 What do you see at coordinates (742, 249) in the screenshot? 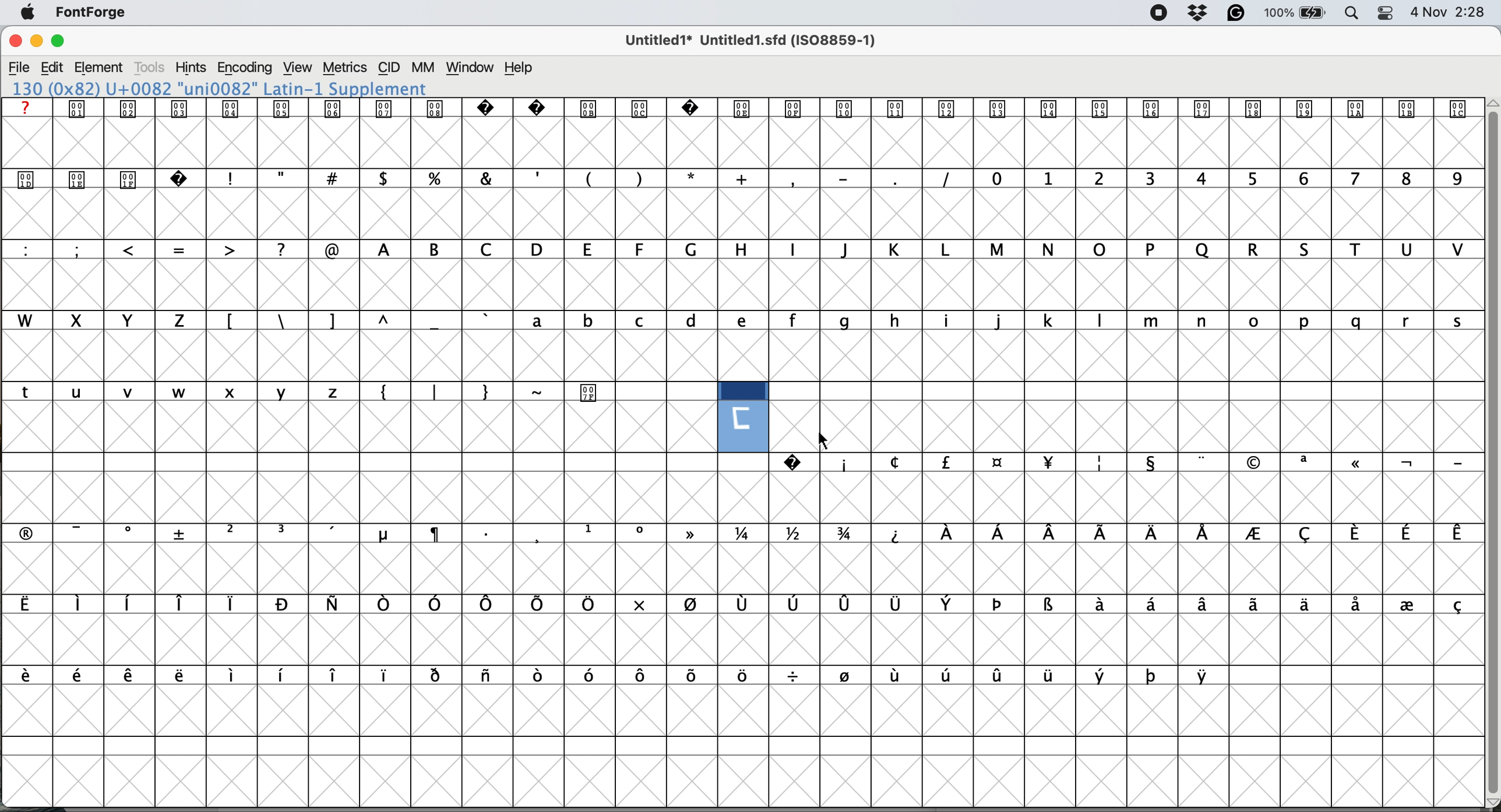
I see `Glyph Slots` at bounding box center [742, 249].